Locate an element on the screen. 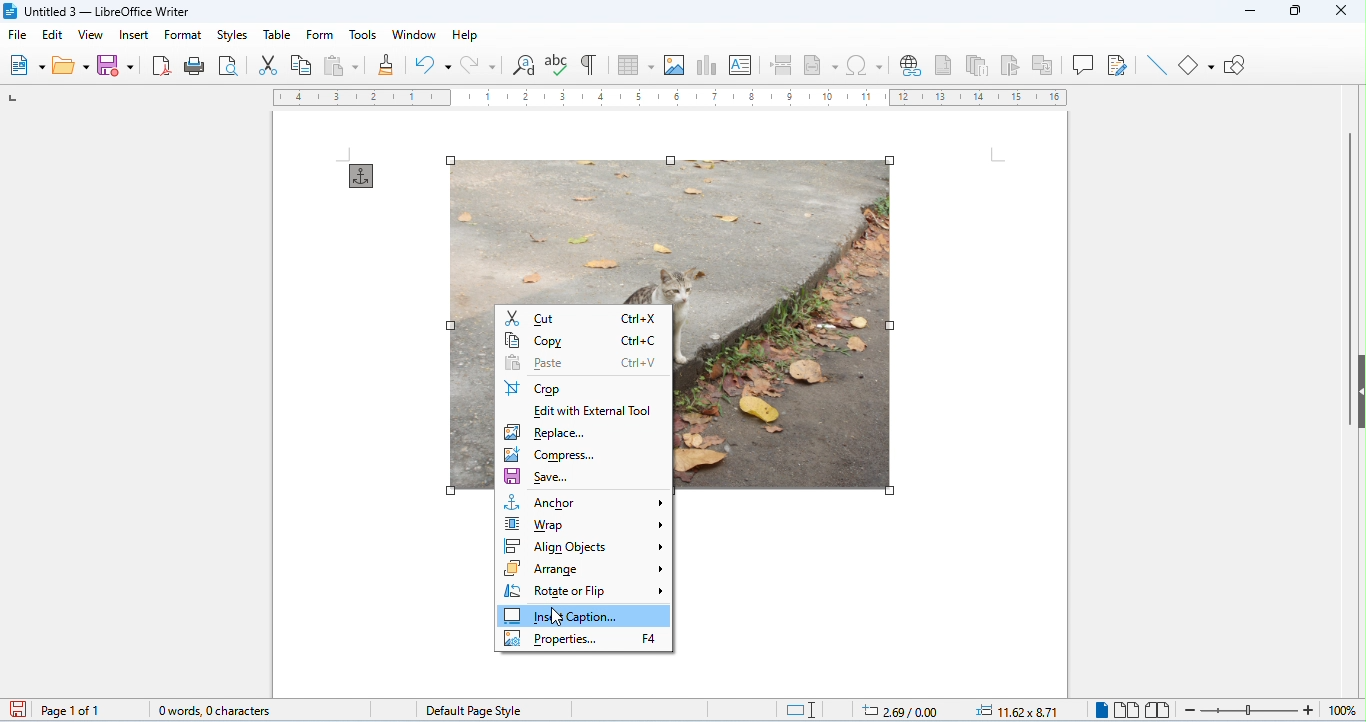 Image resolution: width=1366 pixels, height=722 pixels. insert hyperlink is located at coordinates (912, 67).